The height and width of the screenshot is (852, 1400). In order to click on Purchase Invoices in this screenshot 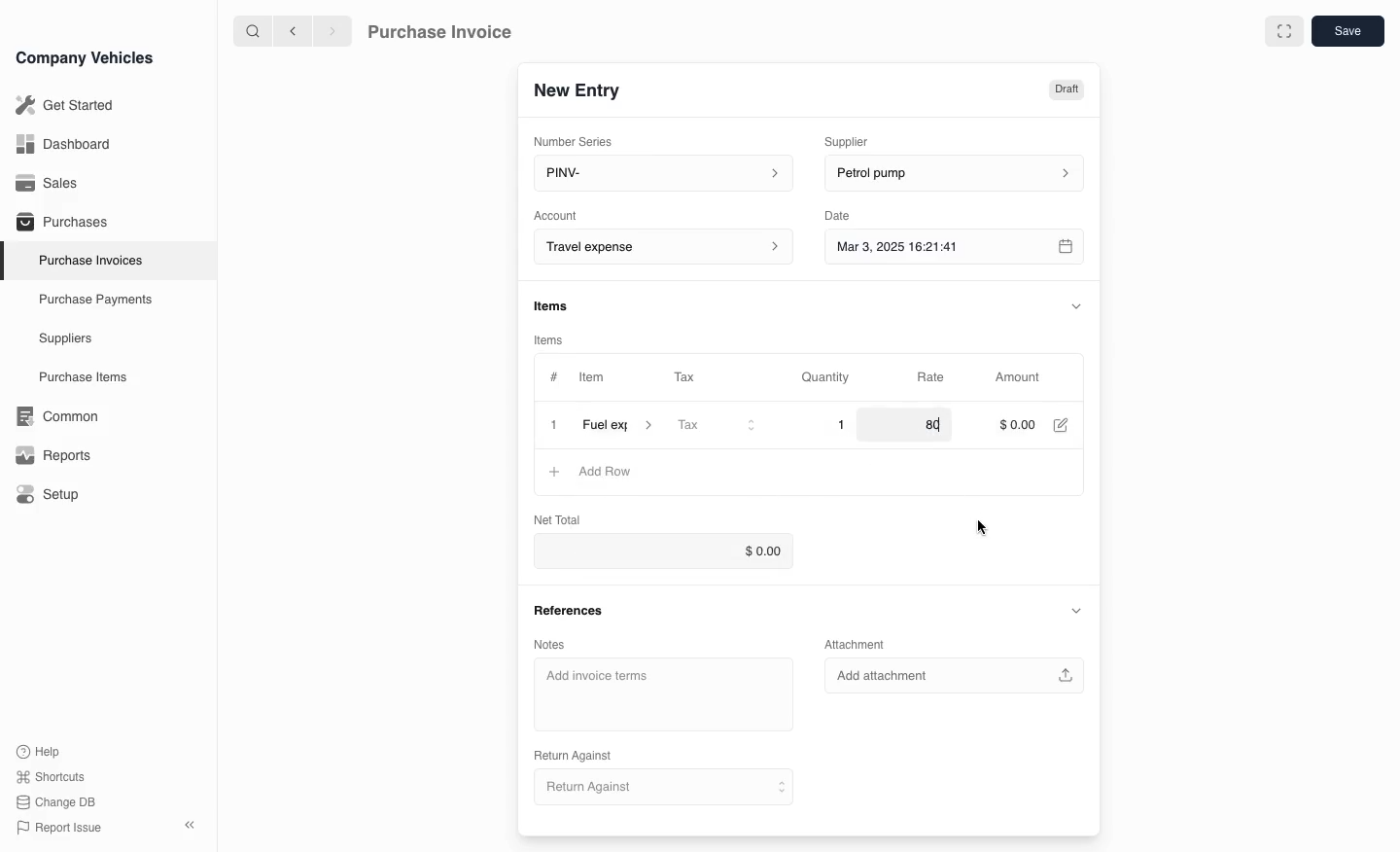, I will do `click(87, 260)`.